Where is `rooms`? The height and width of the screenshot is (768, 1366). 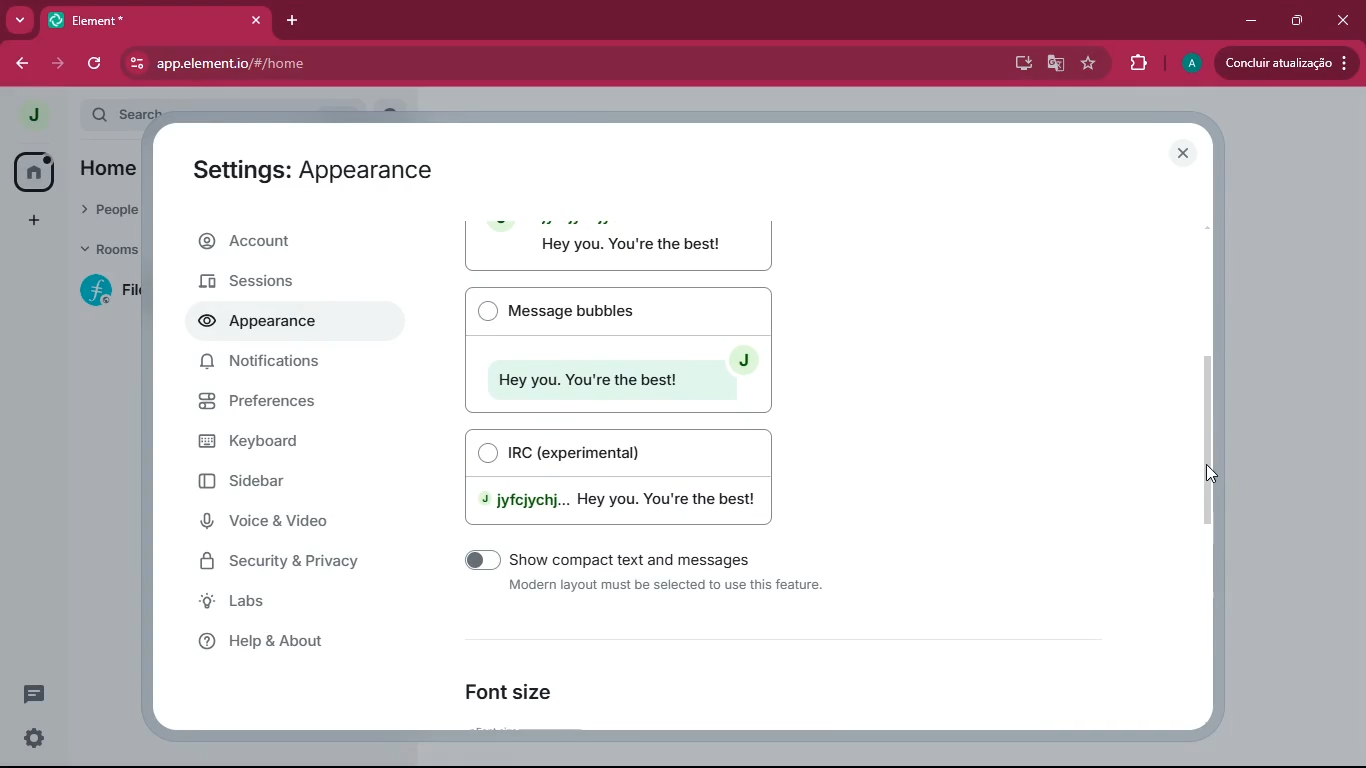 rooms is located at coordinates (106, 248).